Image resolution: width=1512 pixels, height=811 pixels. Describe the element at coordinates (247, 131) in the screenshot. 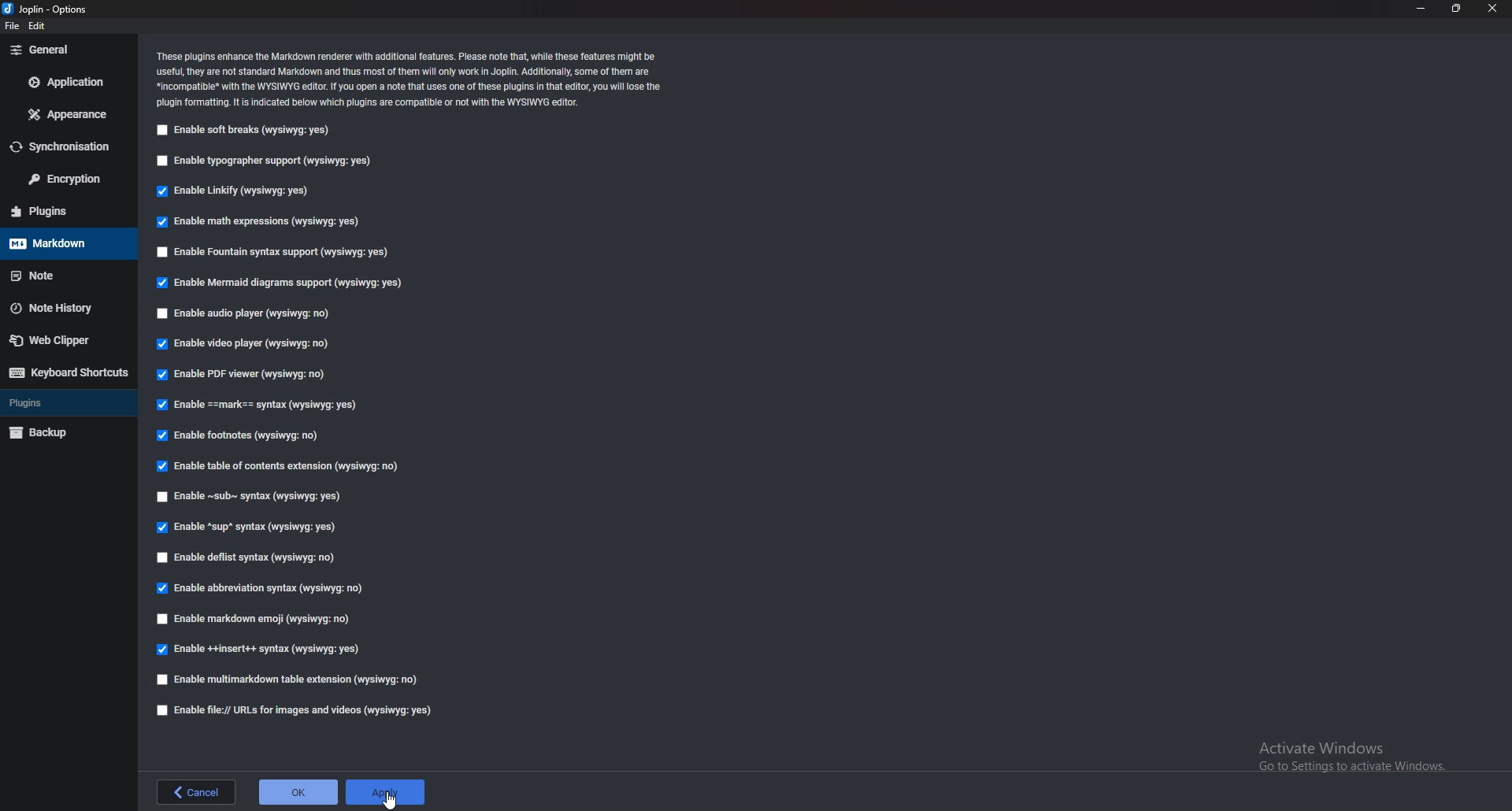

I see `Enable soft breaks` at that location.